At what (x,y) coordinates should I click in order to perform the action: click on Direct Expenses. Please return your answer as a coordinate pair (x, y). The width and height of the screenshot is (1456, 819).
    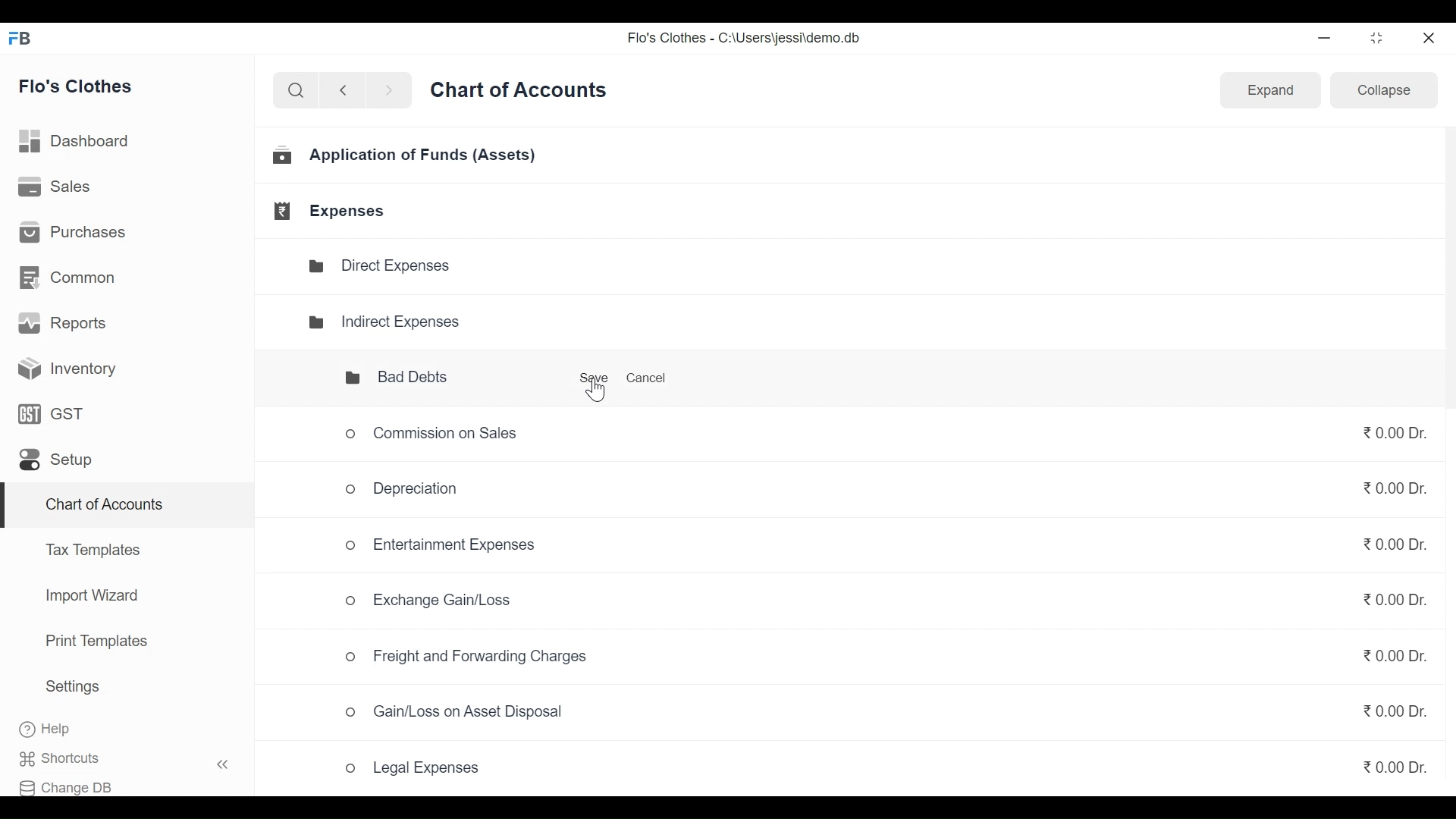
    Looking at the image, I should click on (387, 266).